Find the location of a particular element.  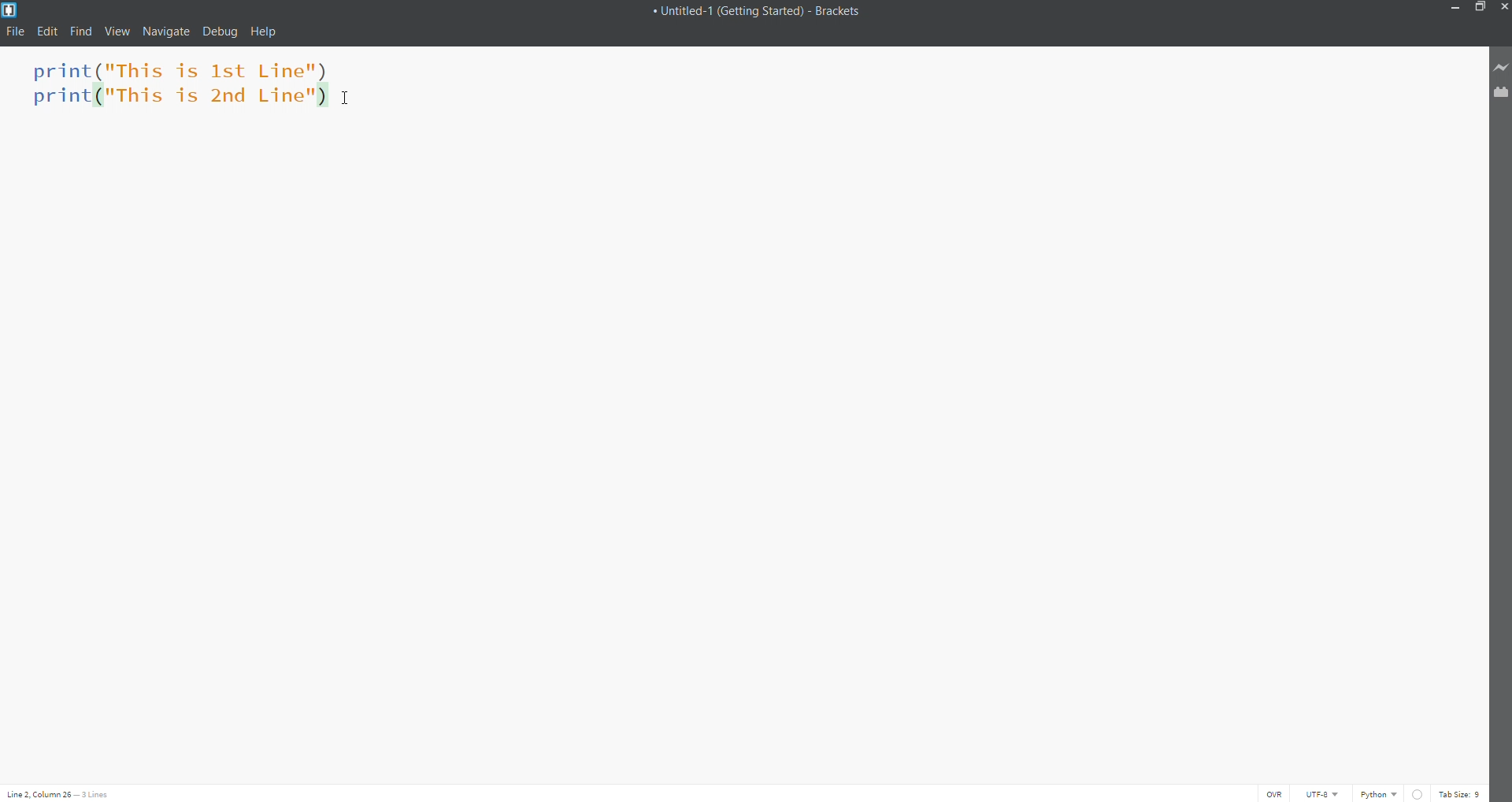

Maximize is located at coordinates (1481, 8).